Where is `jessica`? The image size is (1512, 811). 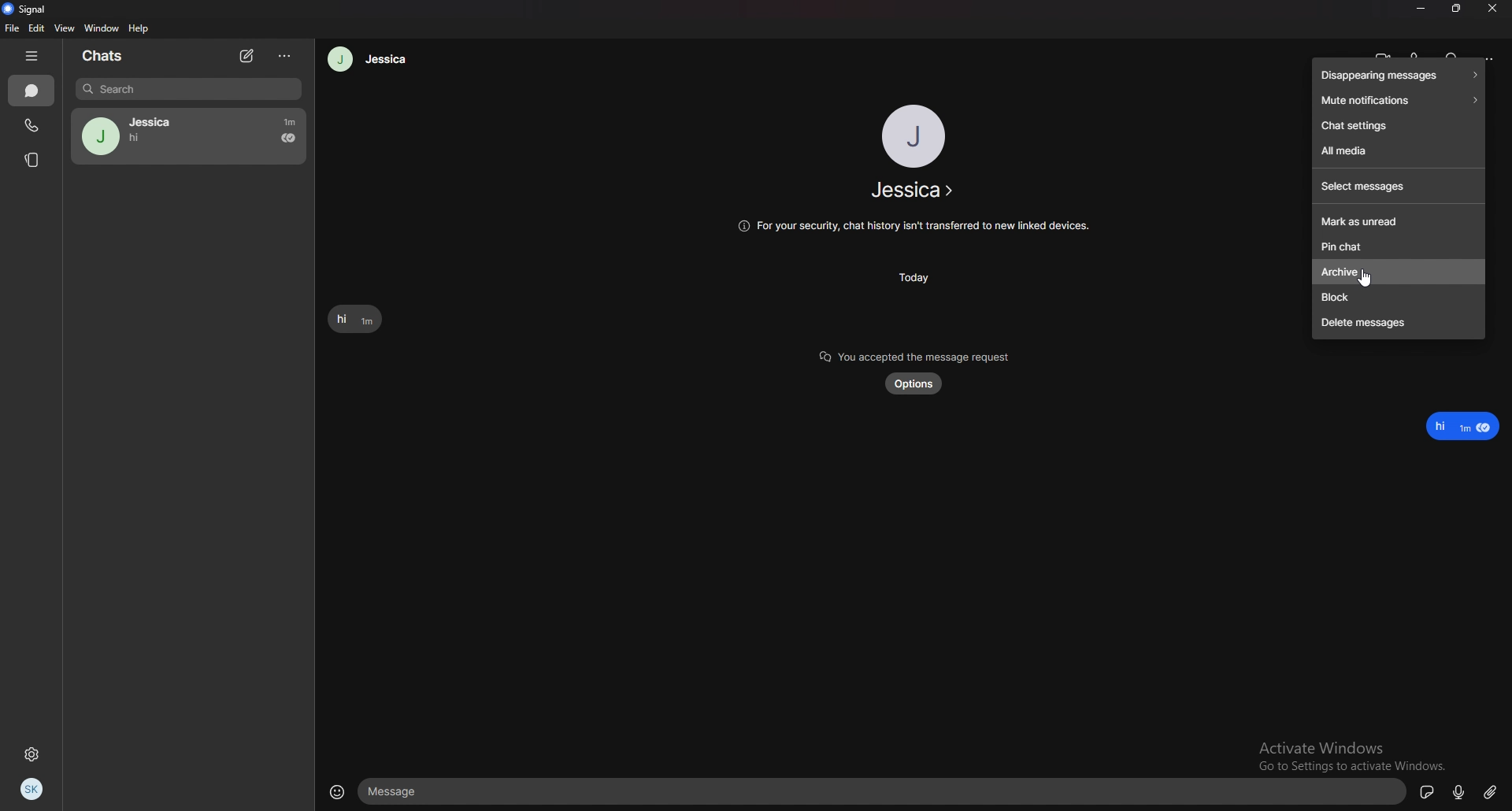
jessica is located at coordinates (369, 59).